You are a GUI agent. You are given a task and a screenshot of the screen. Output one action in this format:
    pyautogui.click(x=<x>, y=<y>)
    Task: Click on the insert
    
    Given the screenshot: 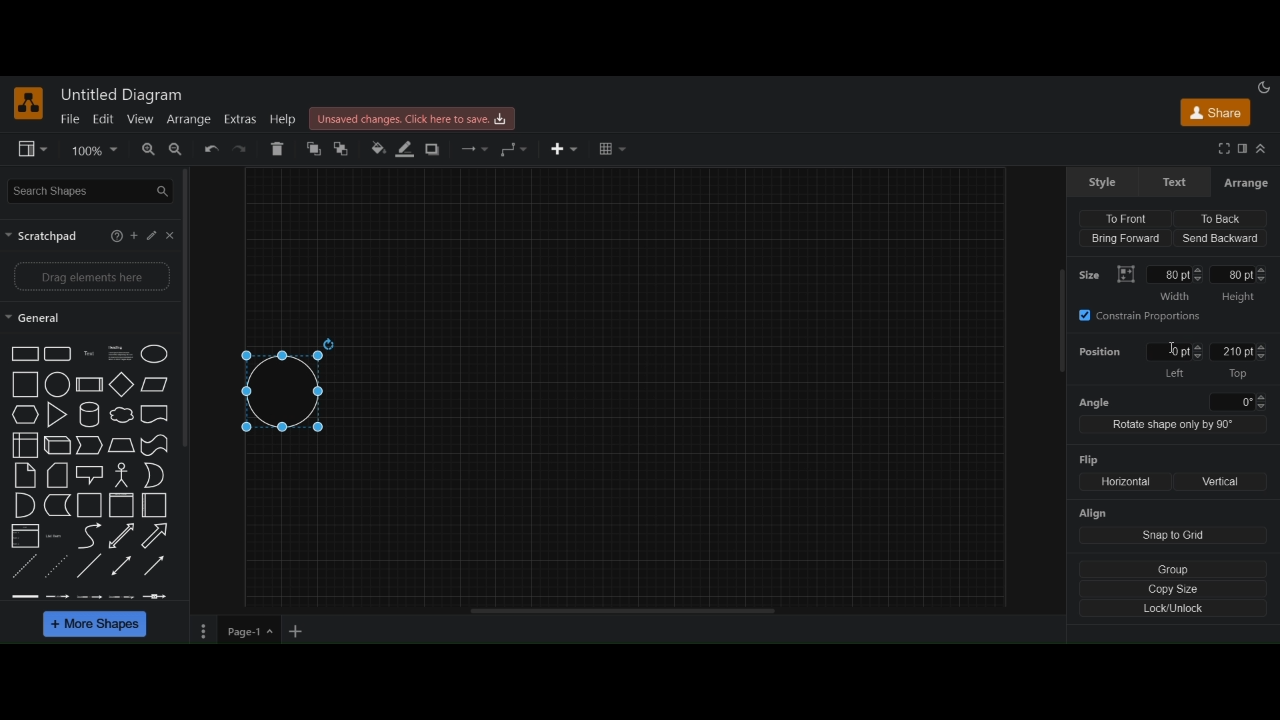 What is the action you would take?
    pyautogui.click(x=567, y=149)
    